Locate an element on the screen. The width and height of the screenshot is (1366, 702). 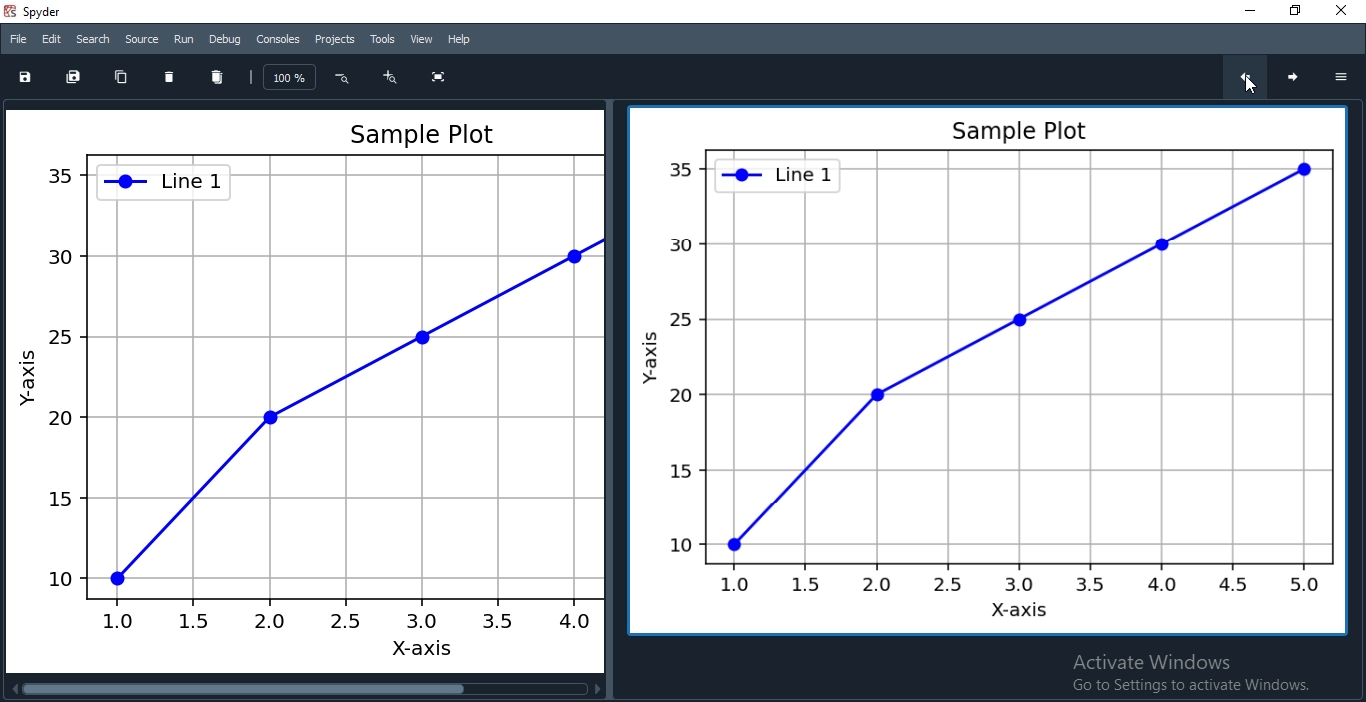
Tools is located at coordinates (382, 39).